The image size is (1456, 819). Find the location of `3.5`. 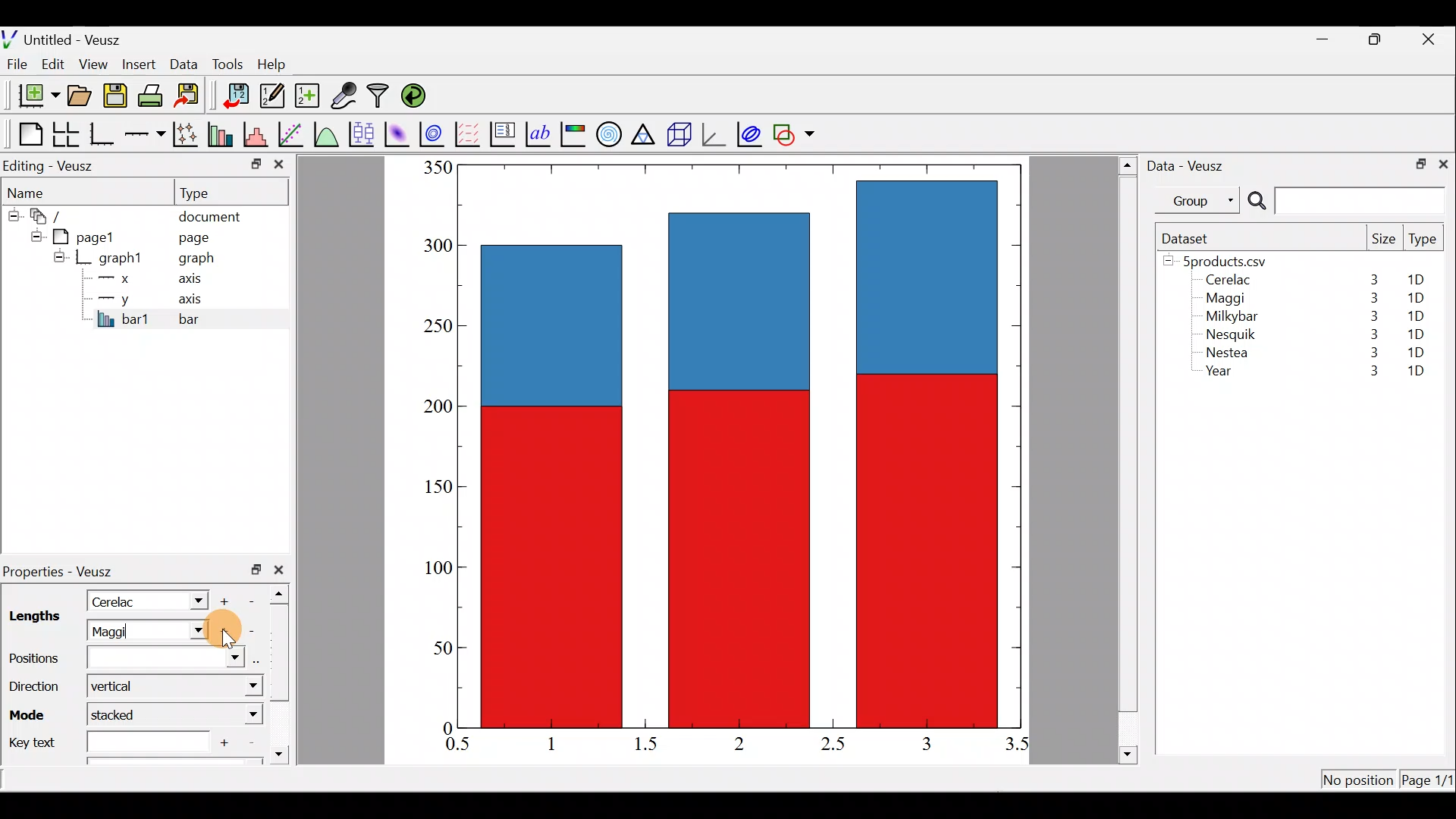

3.5 is located at coordinates (1018, 747).